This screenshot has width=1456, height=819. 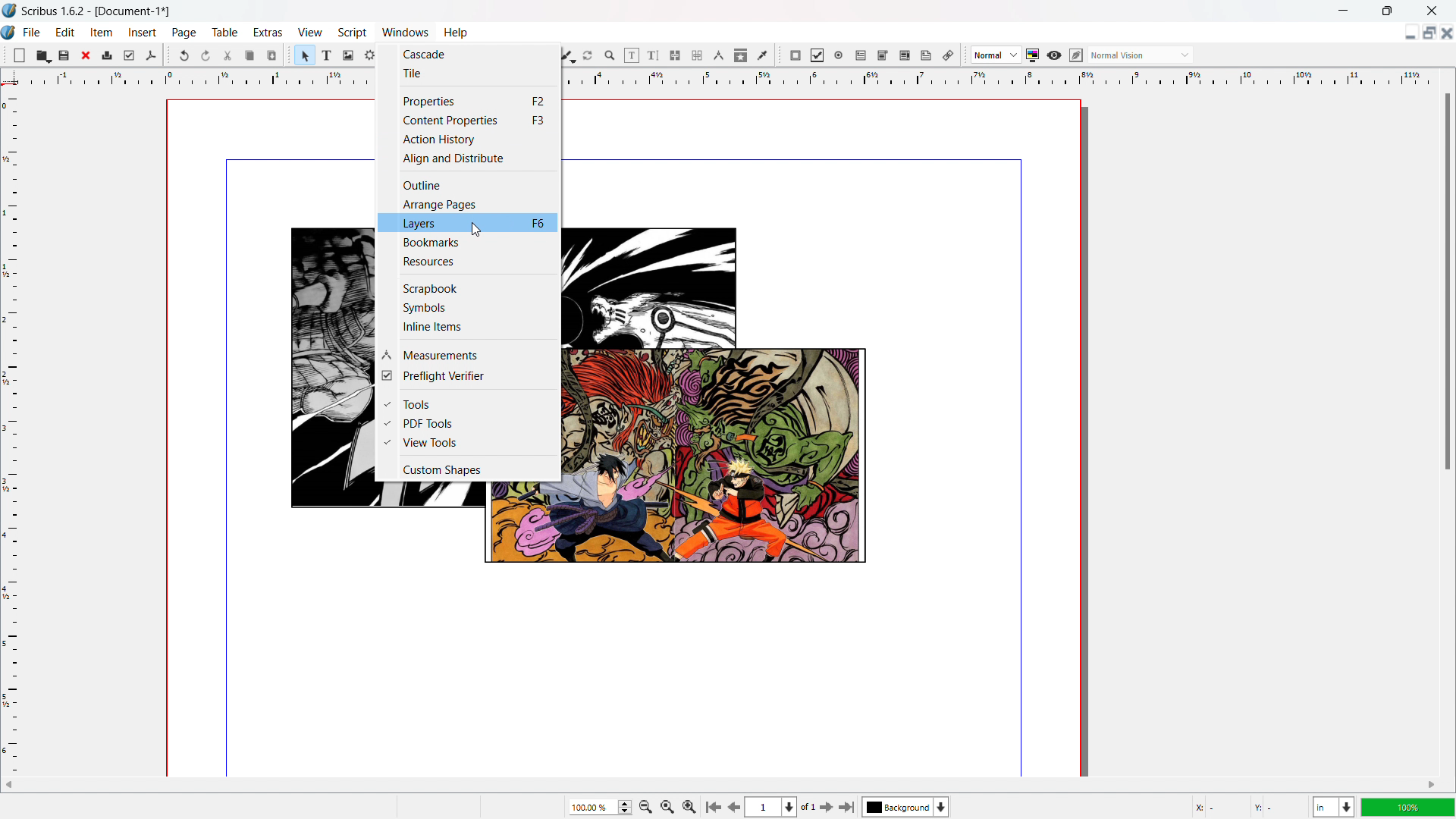 I want to click on tile, so click(x=468, y=73).